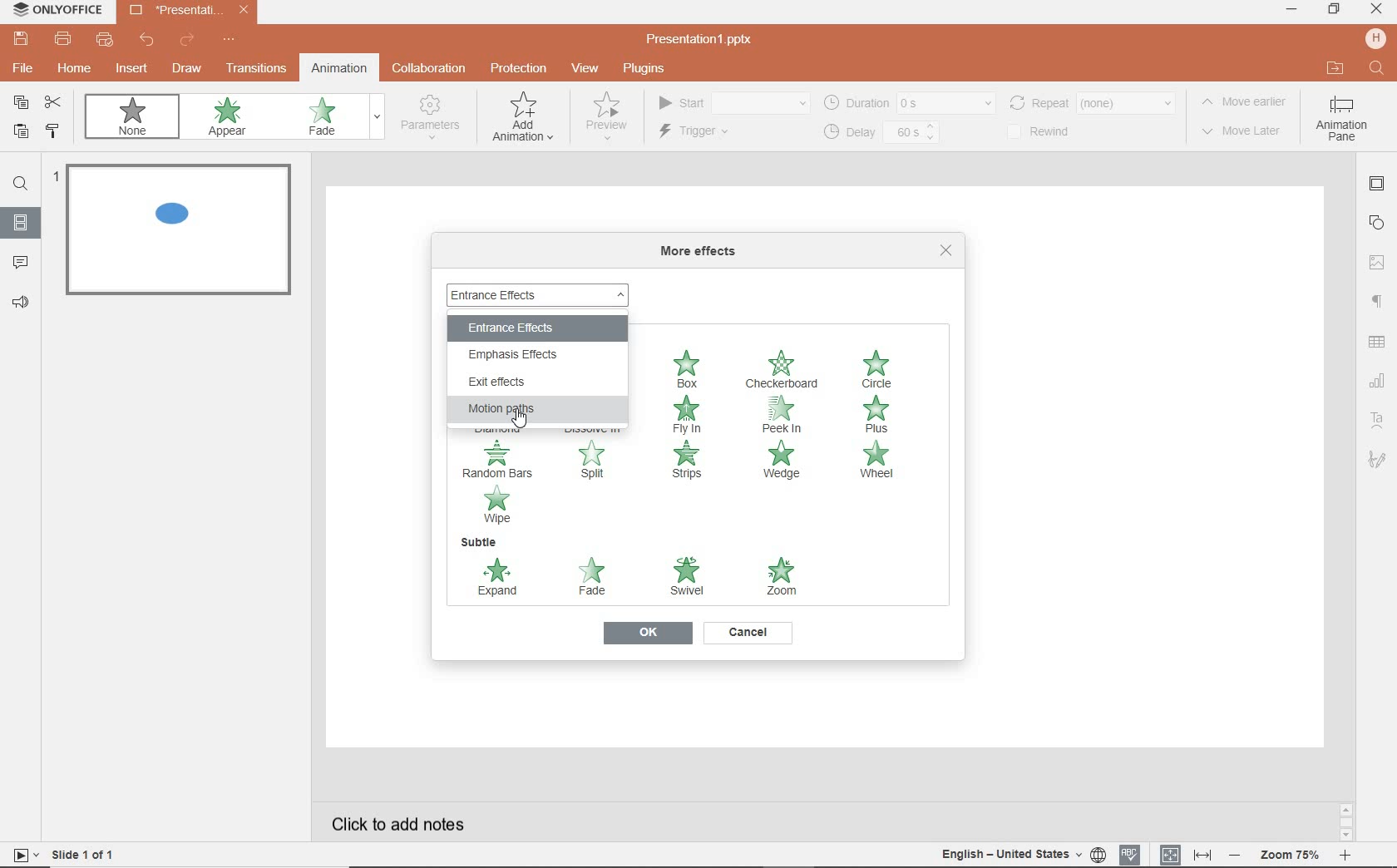 This screenshot has height=868, width=1397. Describe the element at coordinates (1019, 856) in the screenshot. I see `text language` at that location.